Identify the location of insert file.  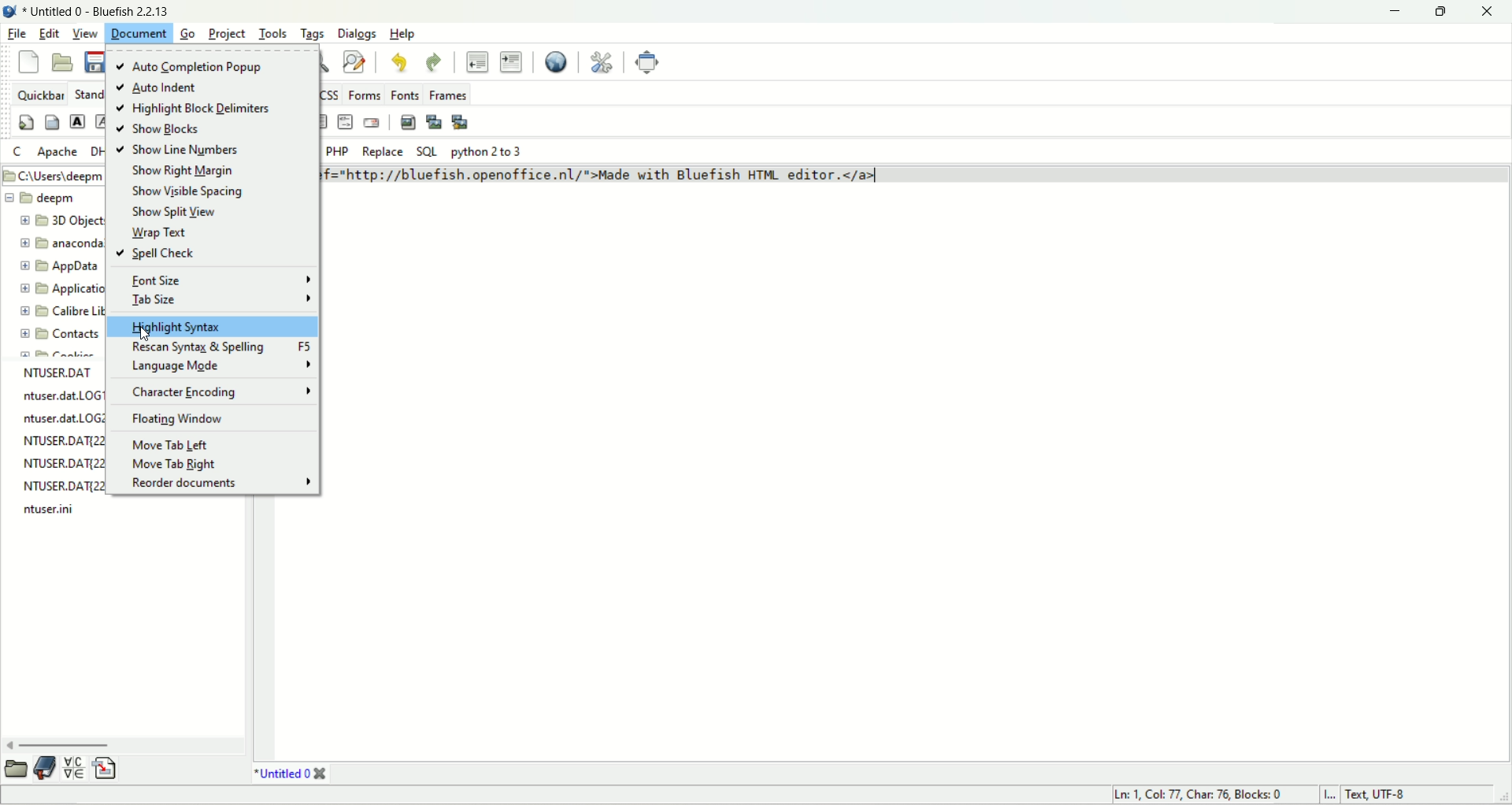
(111, 766).